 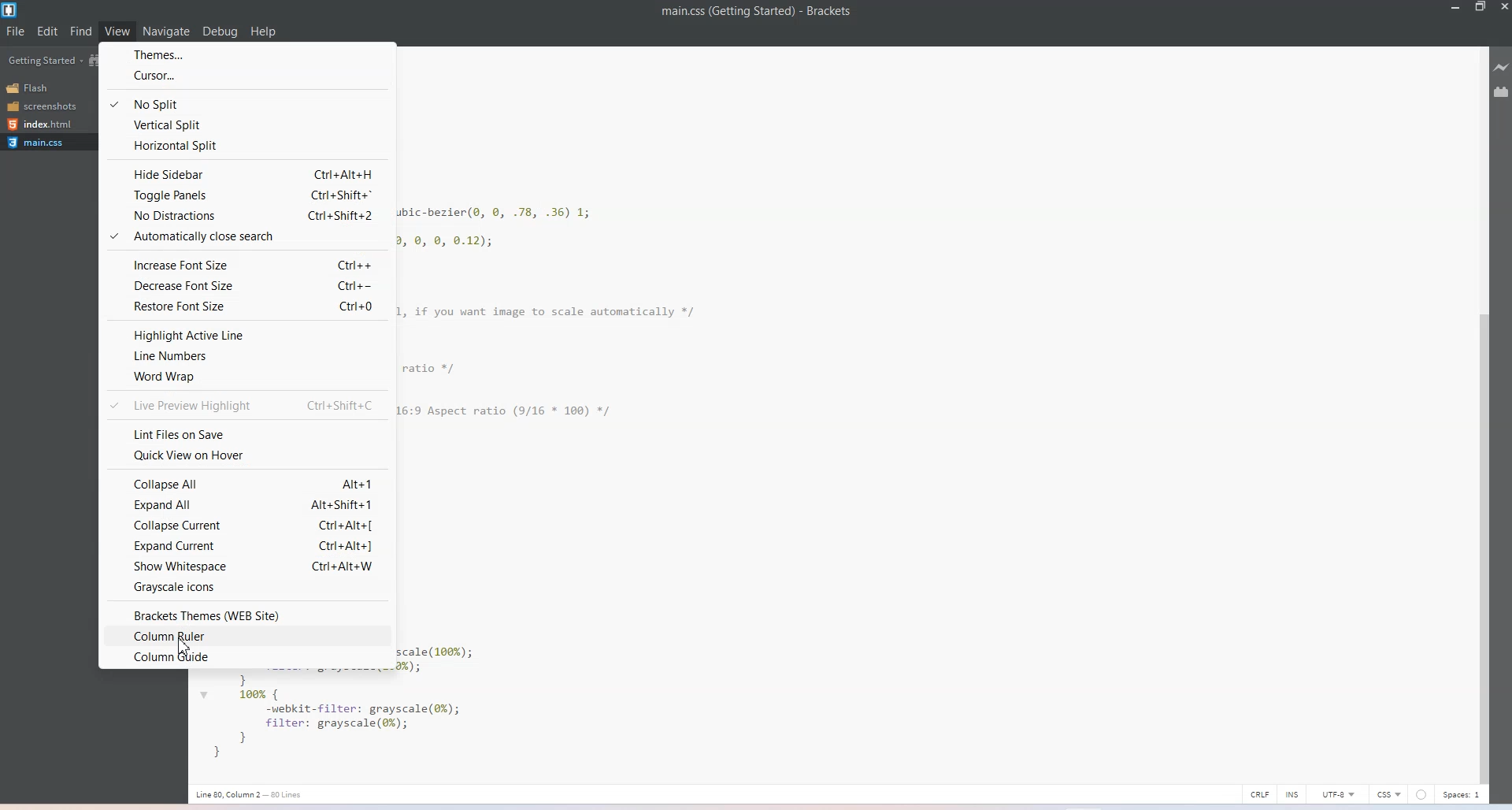 What do you see at coordinates (117, 31) in the screenshot?
I see `View` at bounding box center [117, 31].